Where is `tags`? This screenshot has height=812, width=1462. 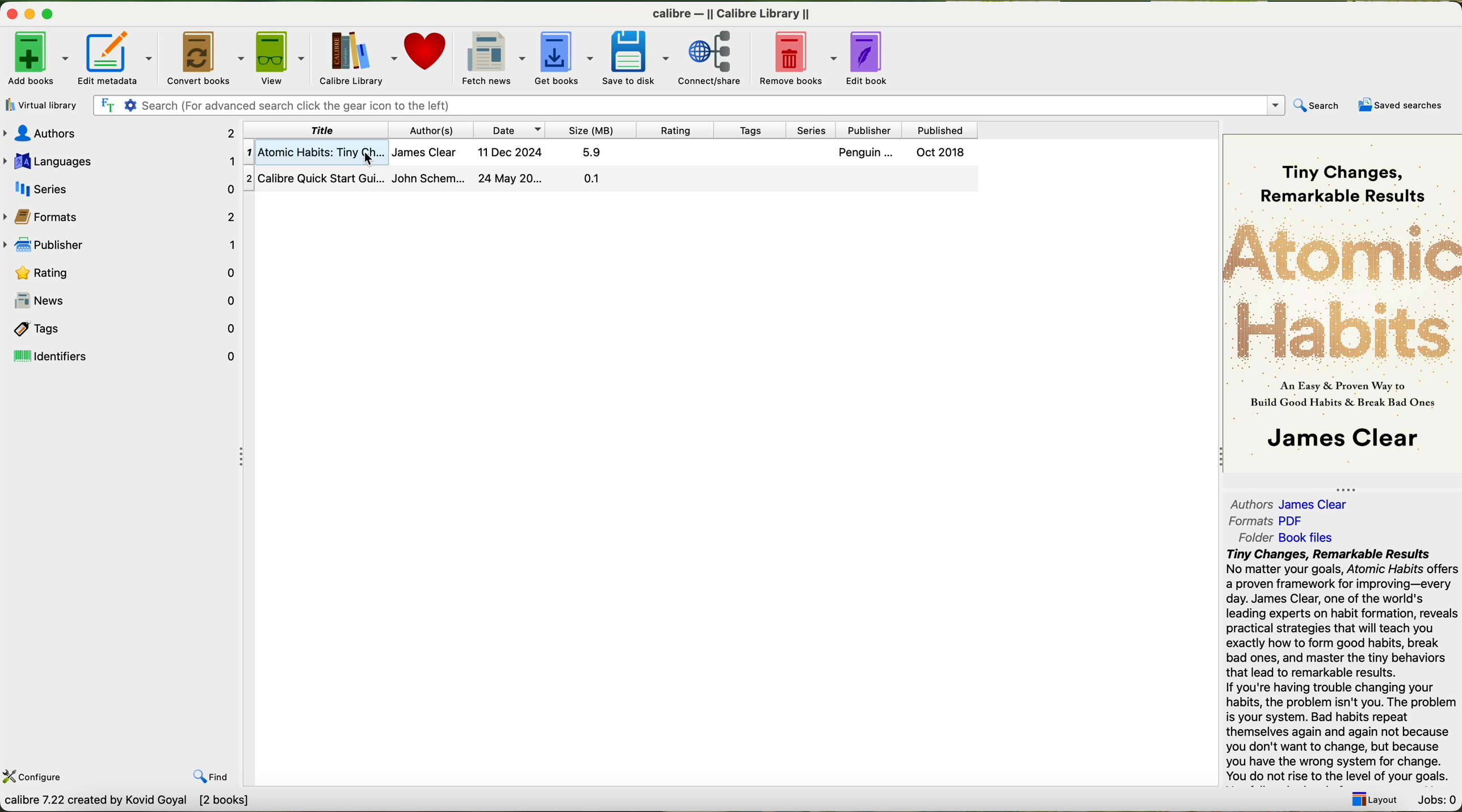
tags is located at coordinates (748, 130).